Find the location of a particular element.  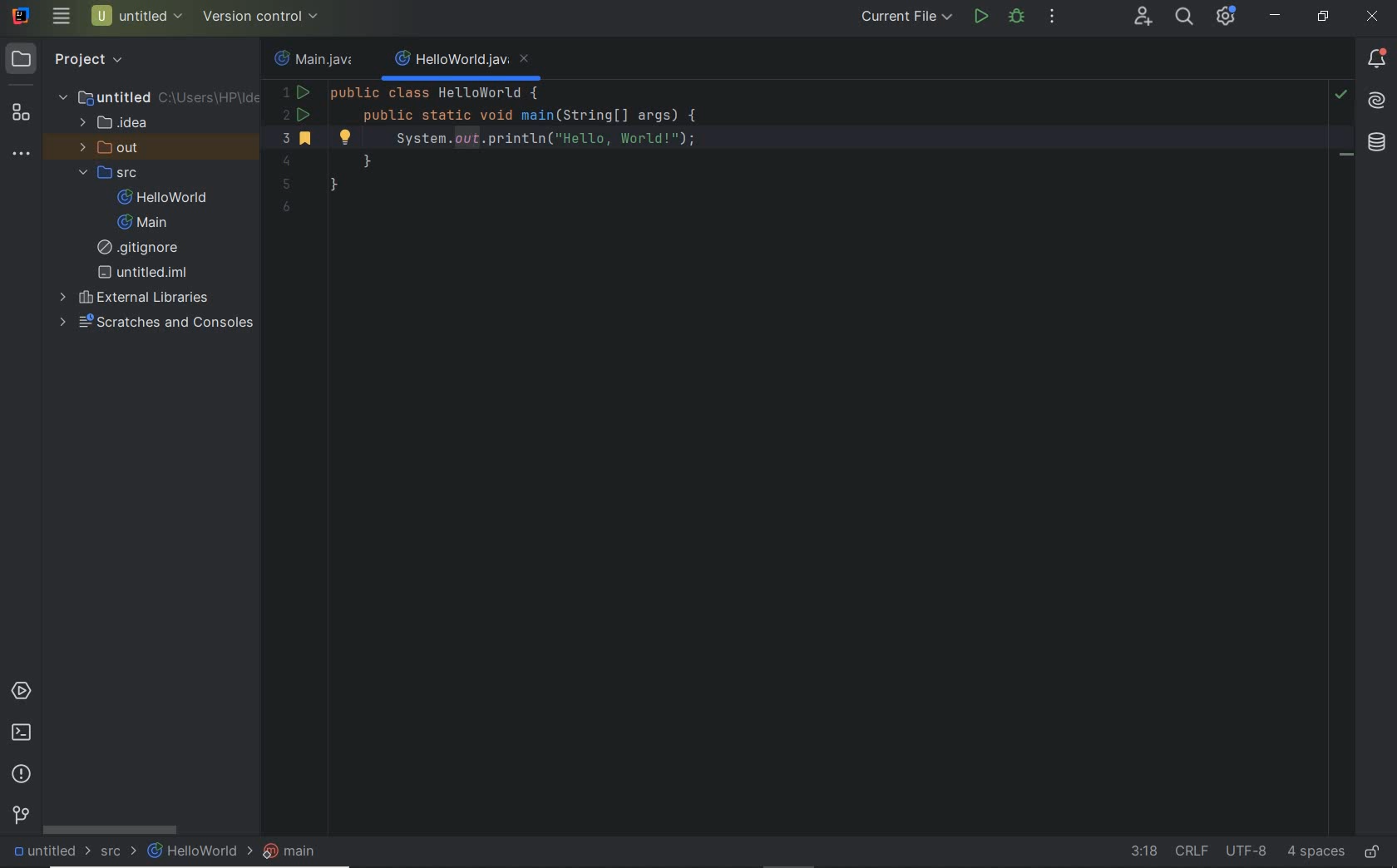

src is located at coordinates (120, 850).